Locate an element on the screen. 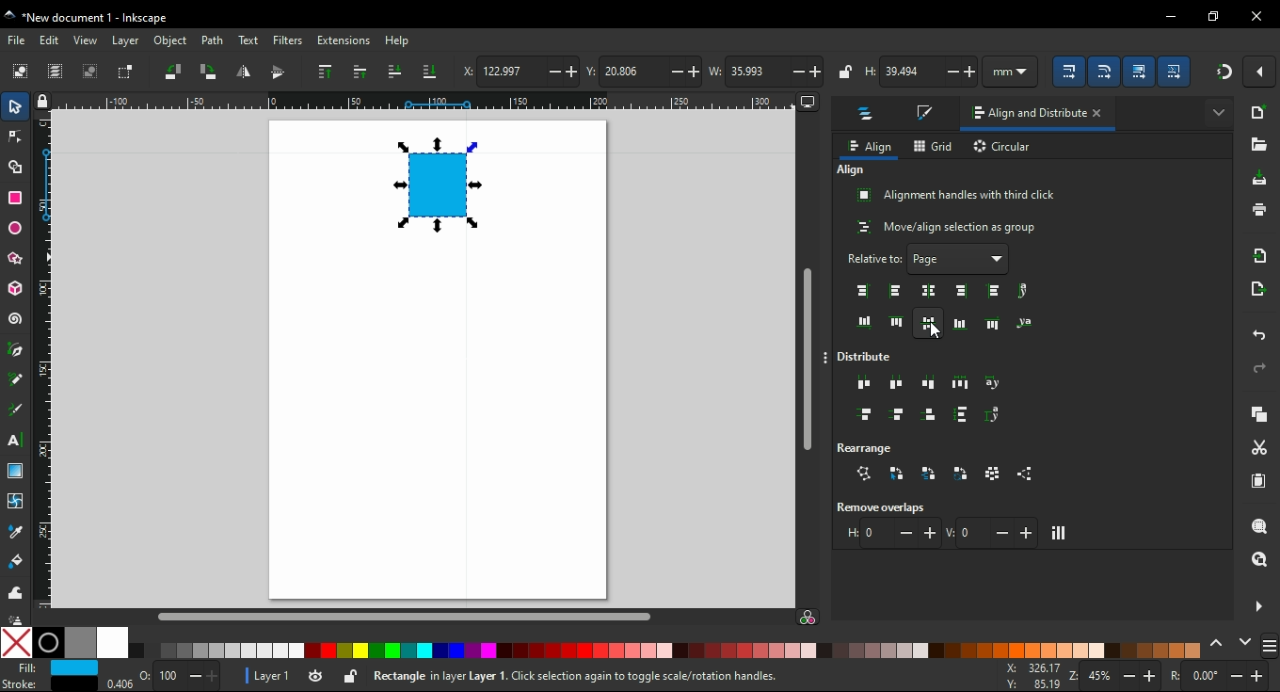  horizontal coordinate of selection is located at coordinates (519, 73).